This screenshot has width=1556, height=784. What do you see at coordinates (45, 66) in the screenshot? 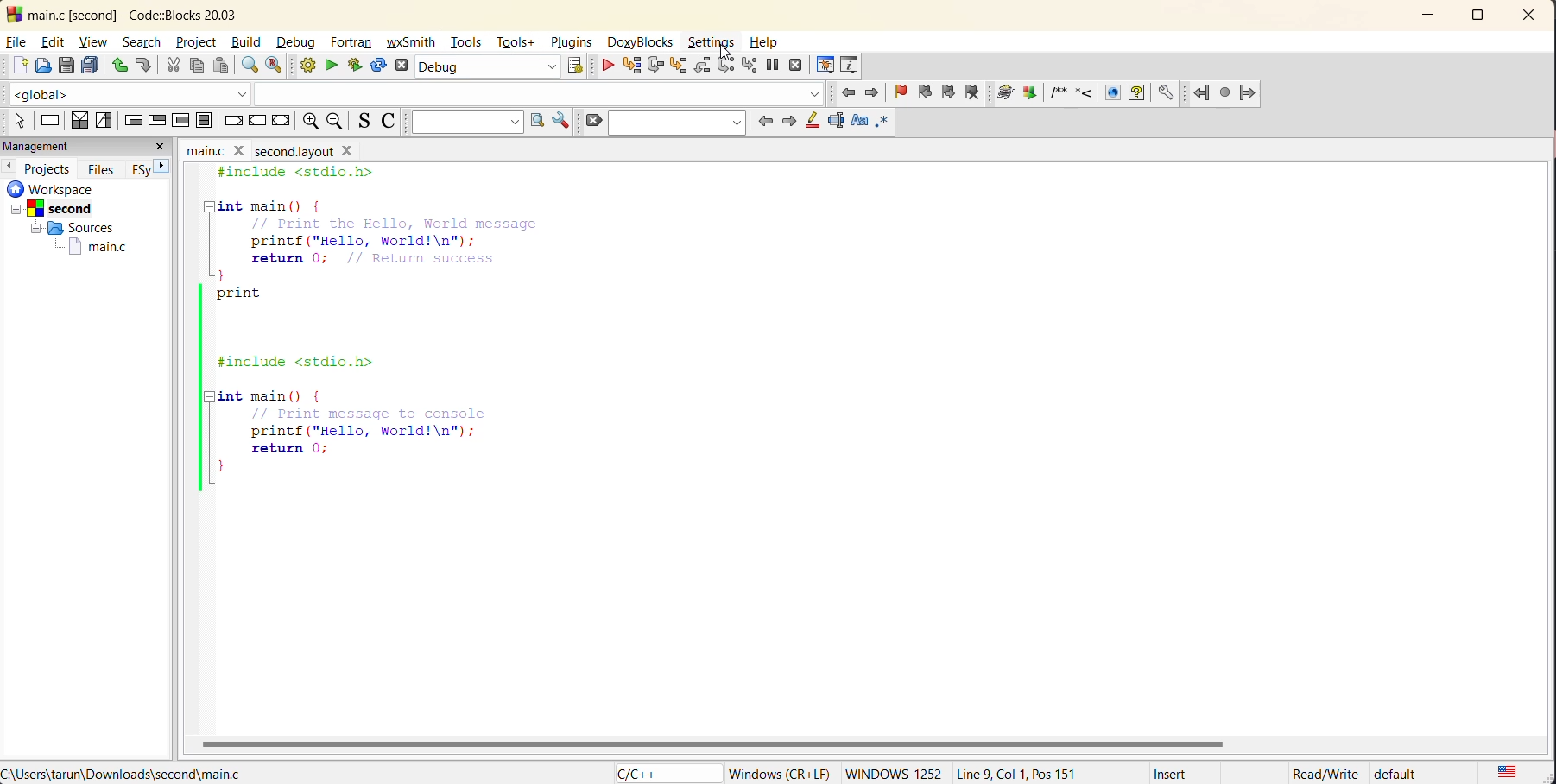
I see `open` at bounding box center [45, 66].